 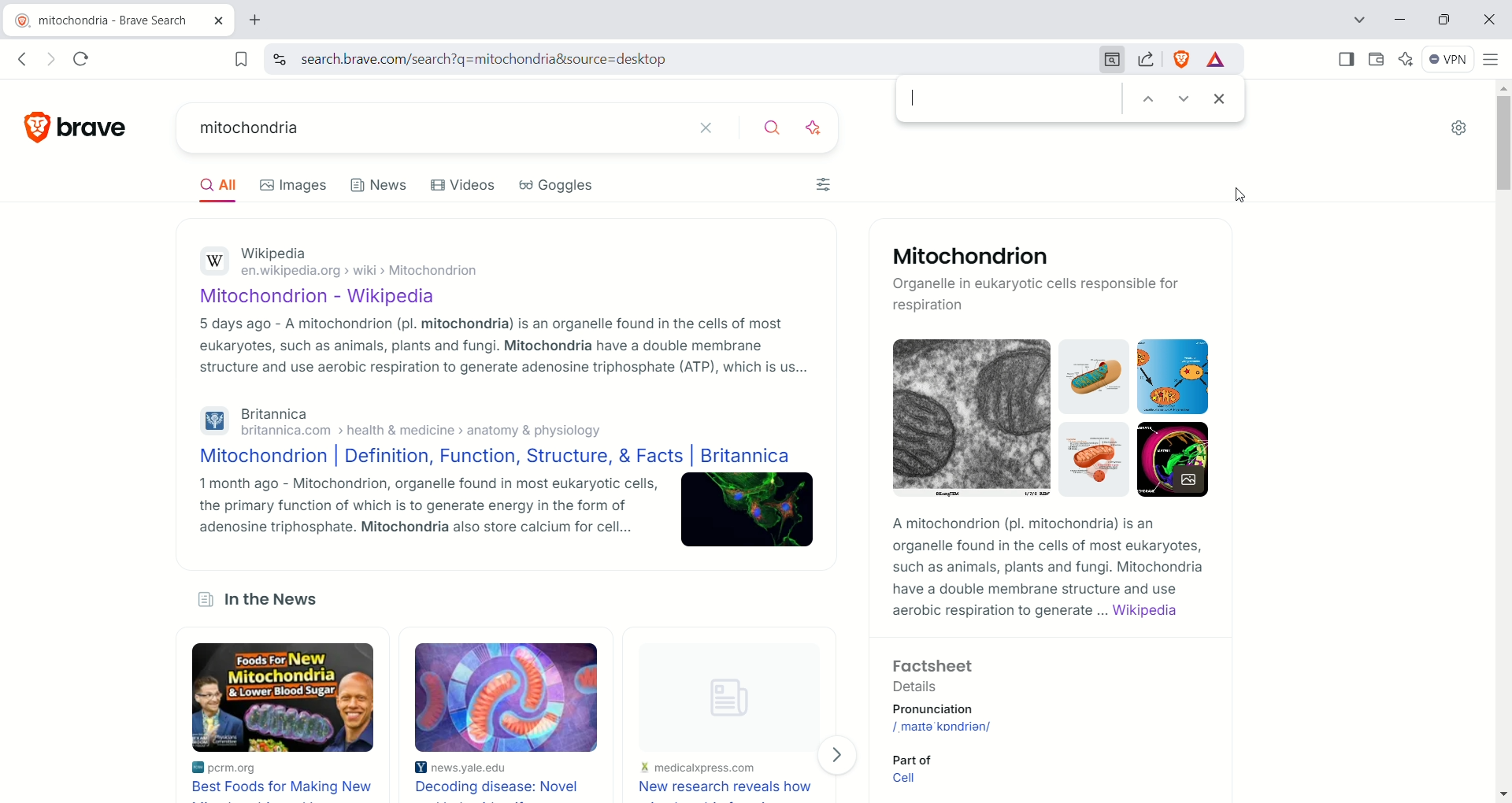 What do you see at coordinates (1097, 459) in the screenshot?
I see `Image` at bounding box center [1097, 459].